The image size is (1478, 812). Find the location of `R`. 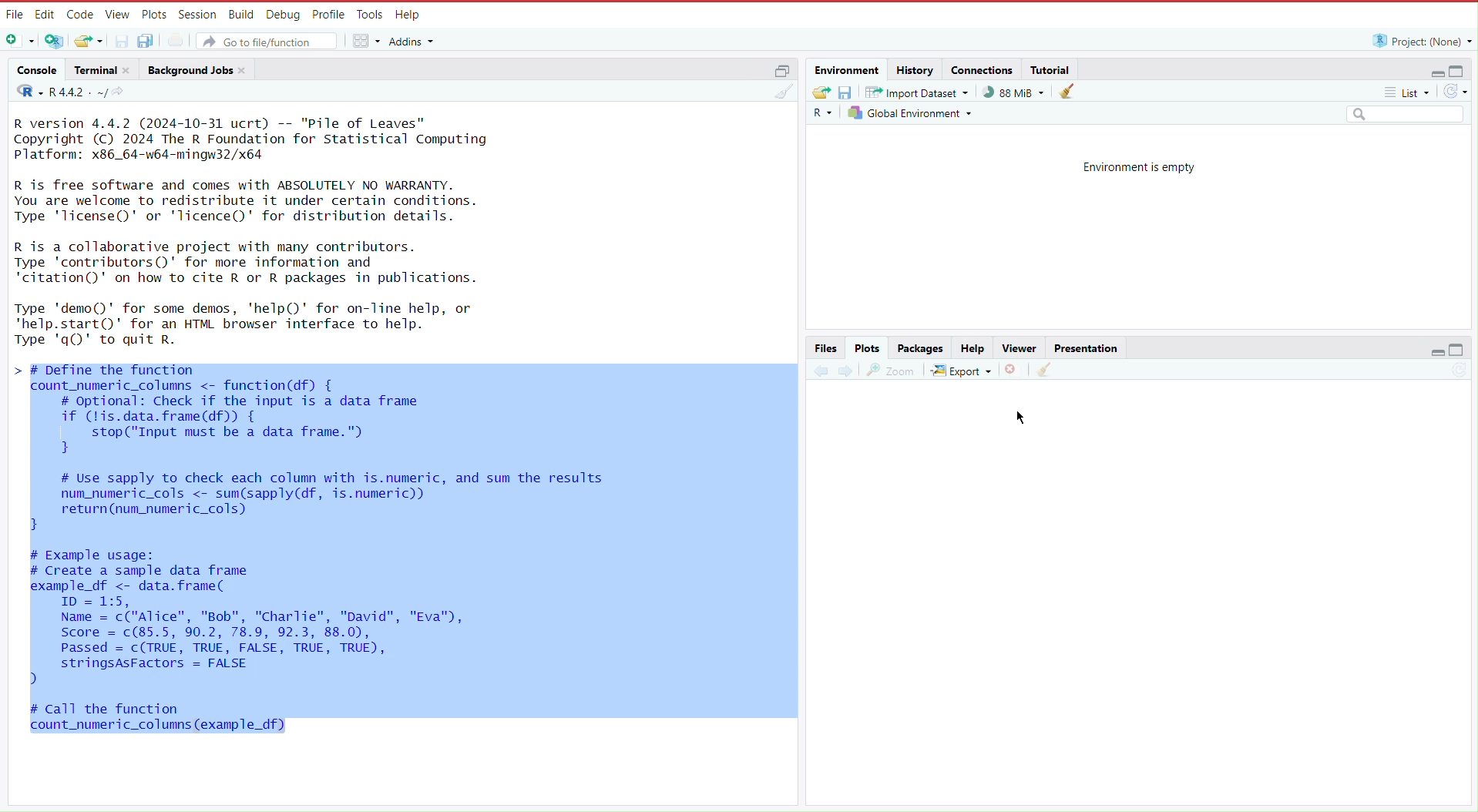

R is located at coordinates (825, 113).